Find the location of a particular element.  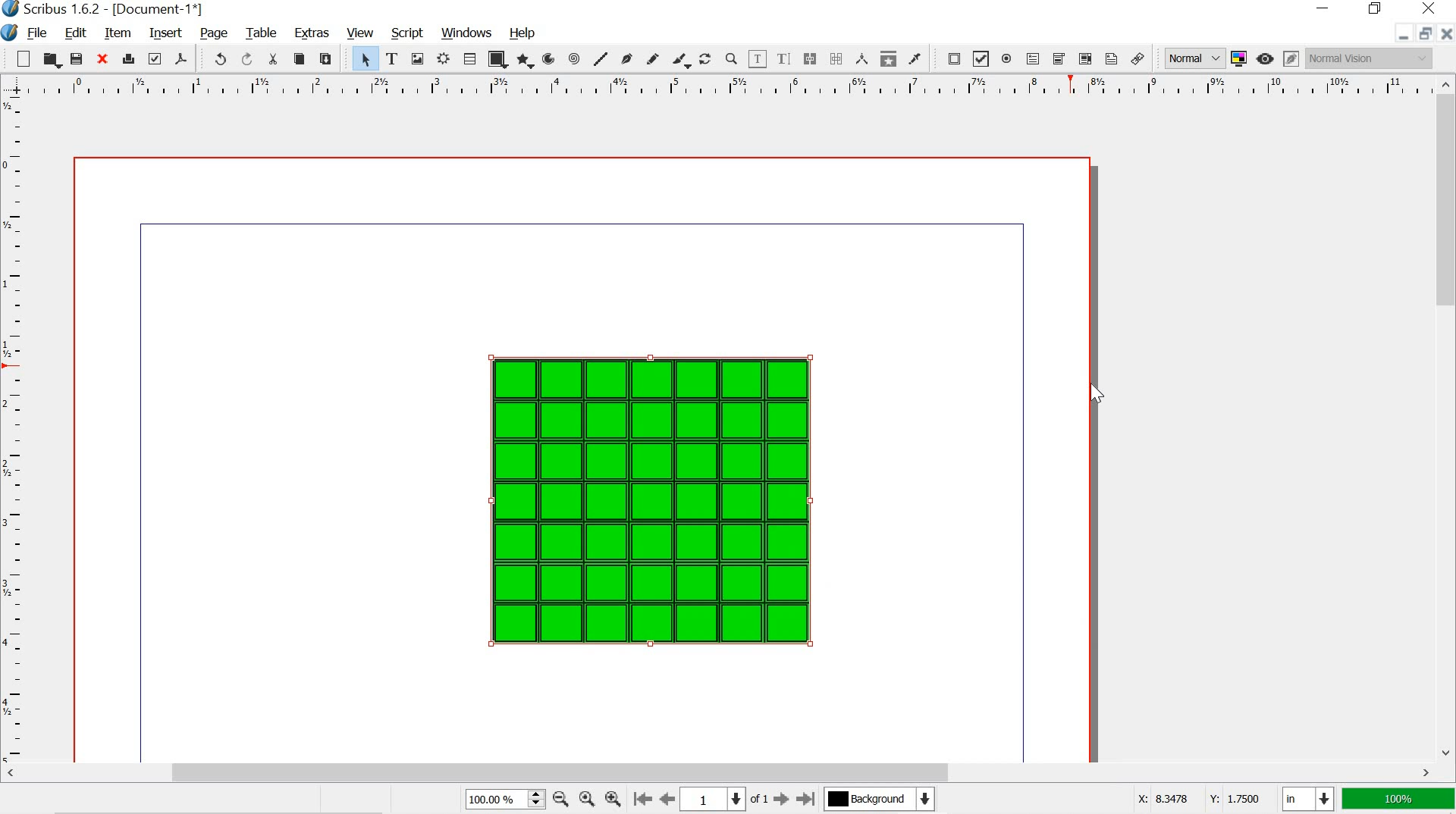

print is located at coordinates (129, 60).